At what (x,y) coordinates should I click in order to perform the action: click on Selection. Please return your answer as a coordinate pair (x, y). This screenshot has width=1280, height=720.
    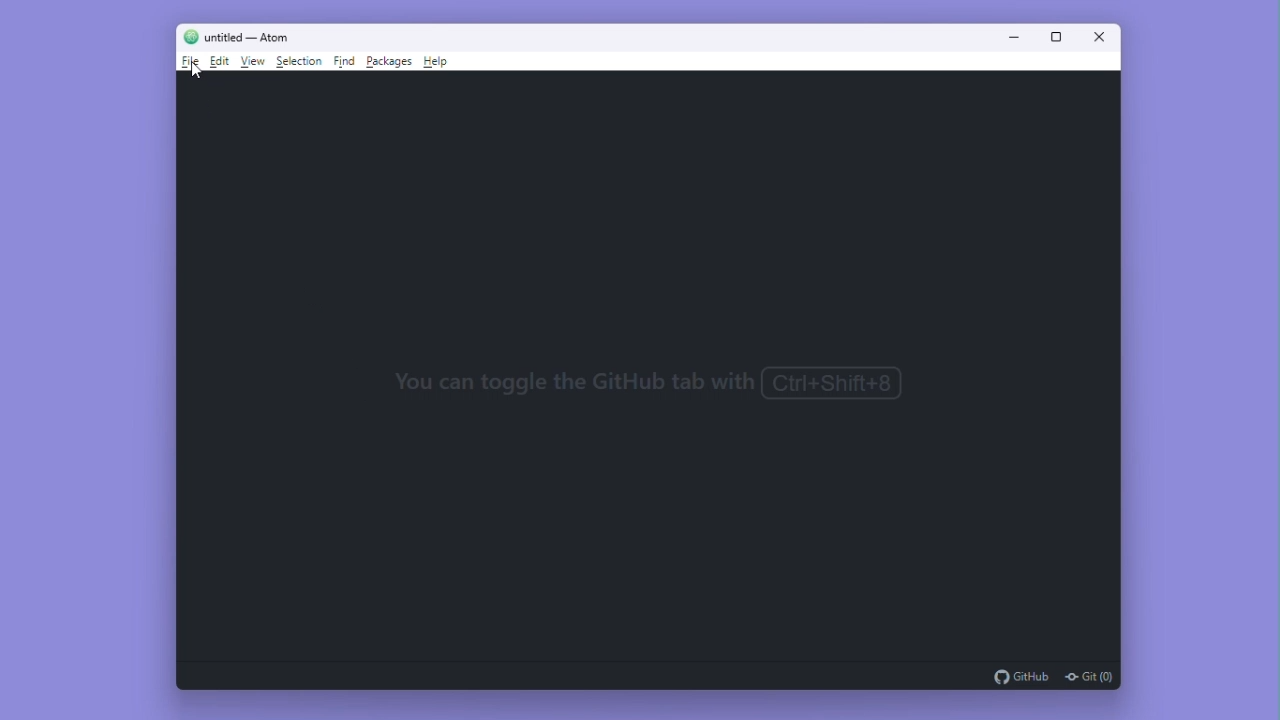
    Looking at the image, I should click on (300, 61).